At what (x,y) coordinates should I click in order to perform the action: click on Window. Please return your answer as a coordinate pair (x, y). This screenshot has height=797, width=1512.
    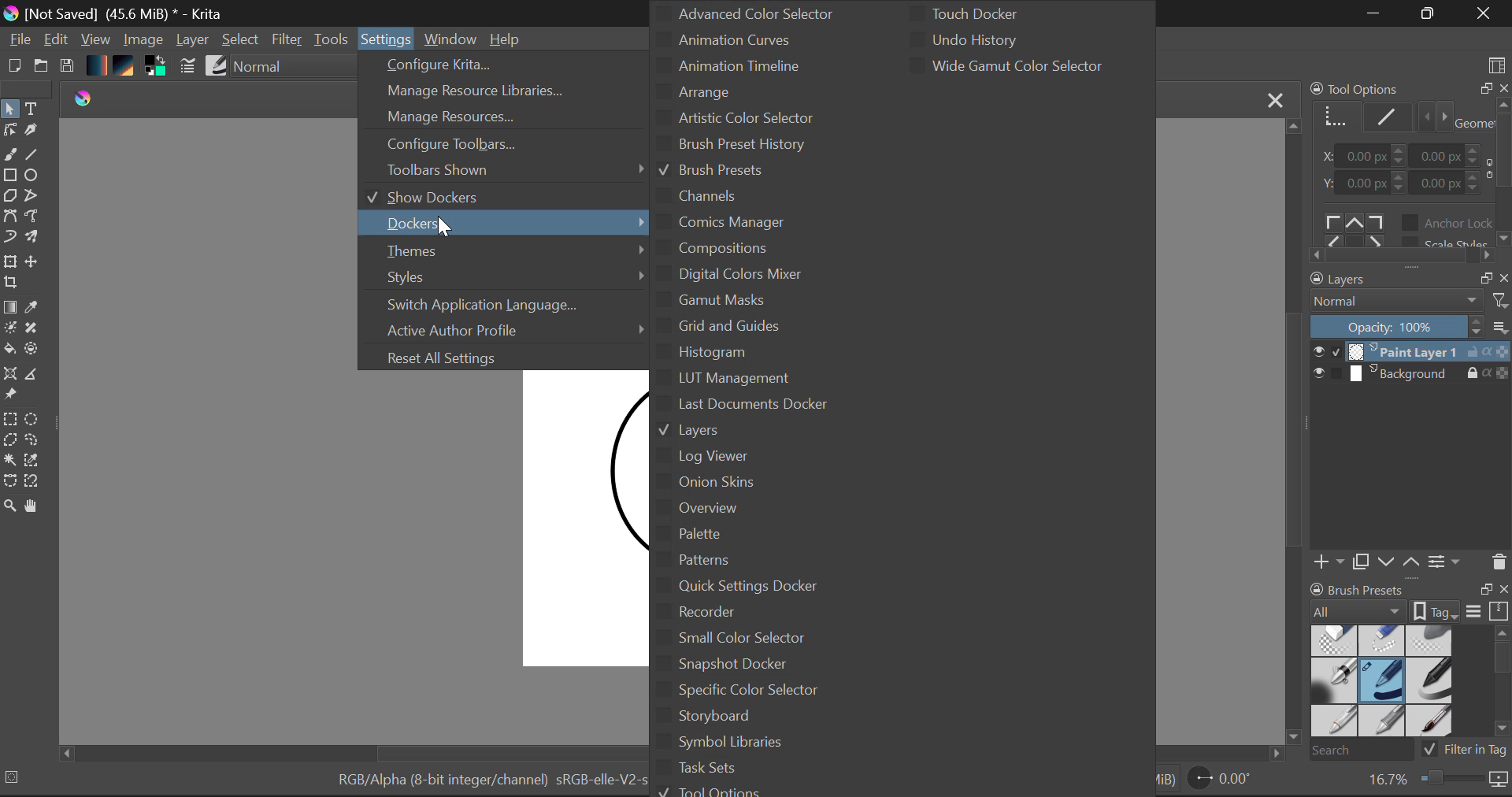
    Looking at the image, I should click on (453, 36).